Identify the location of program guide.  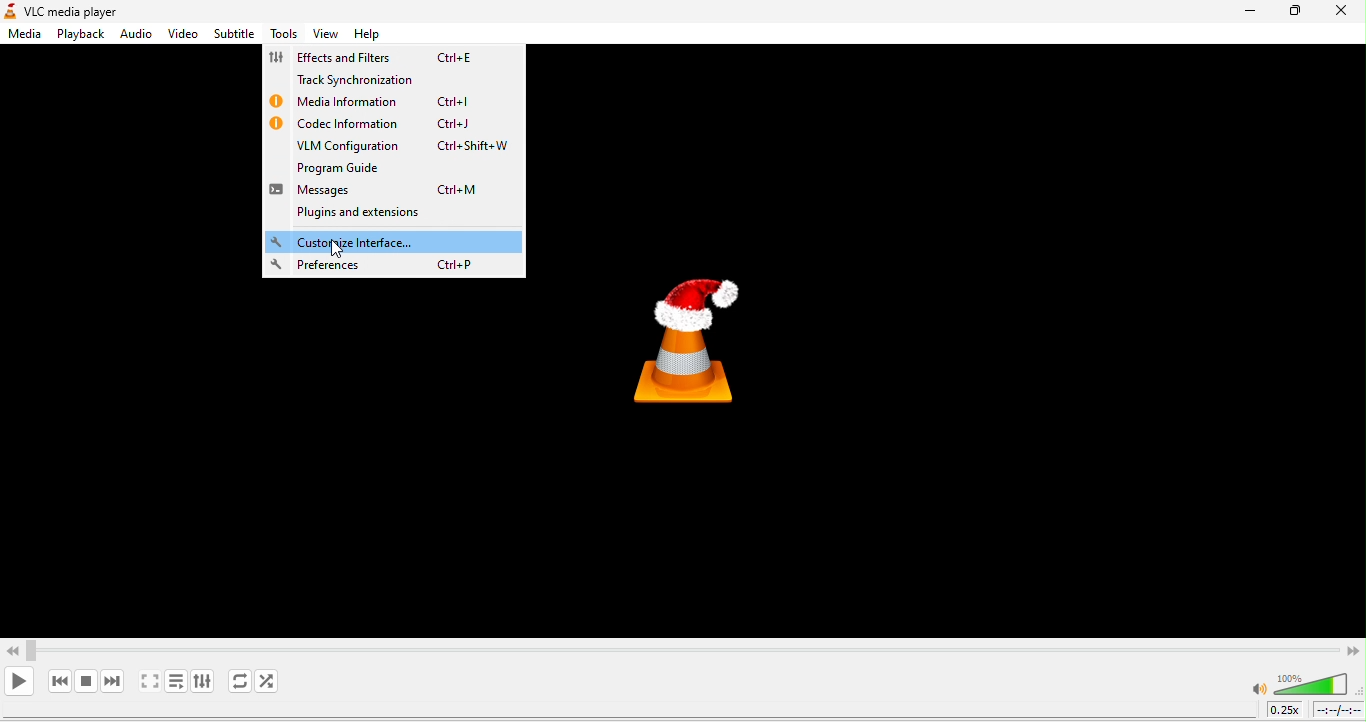
(362, 171).